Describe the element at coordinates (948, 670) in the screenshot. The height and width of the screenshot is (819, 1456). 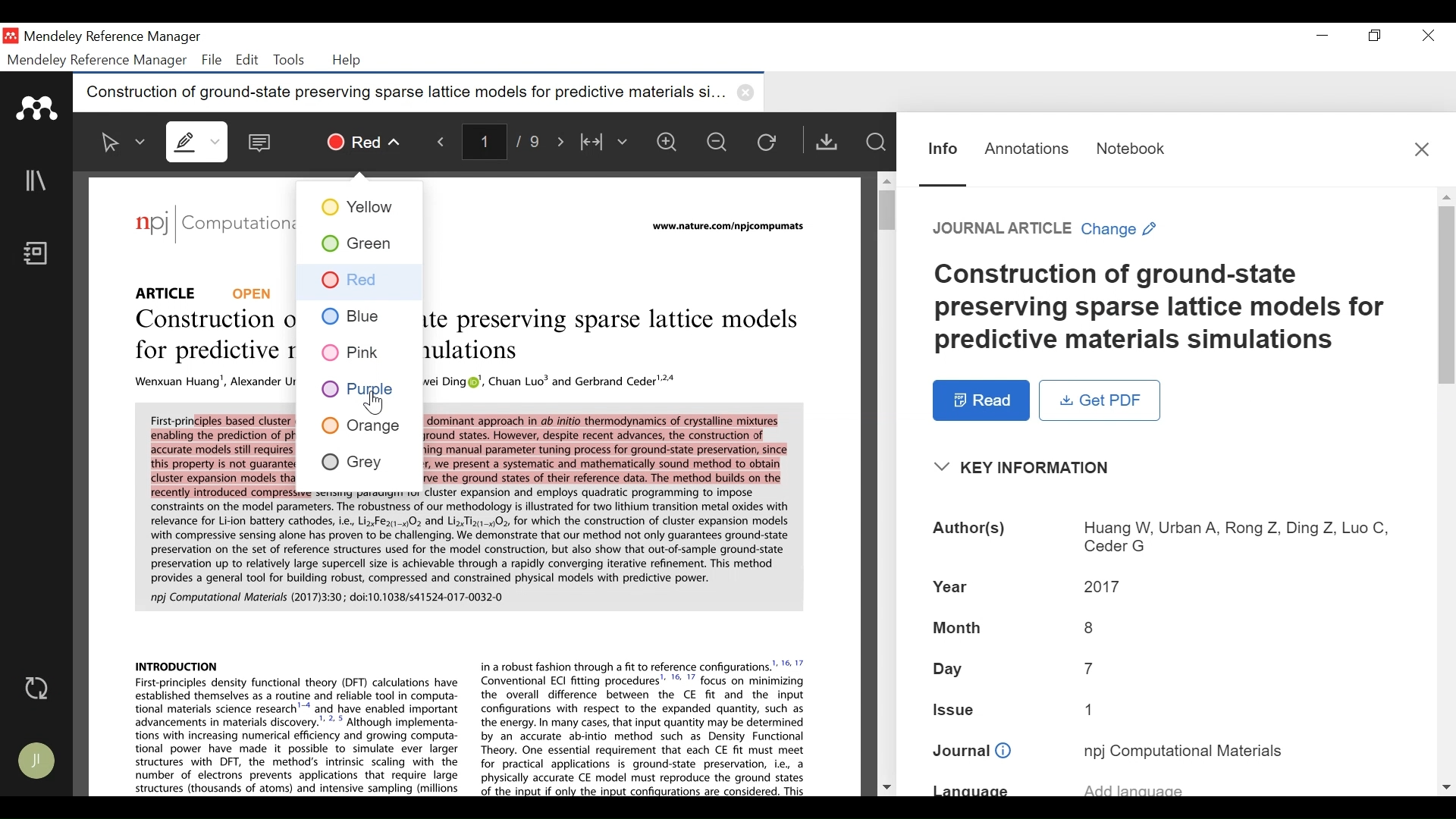
I see `Day` at that location.